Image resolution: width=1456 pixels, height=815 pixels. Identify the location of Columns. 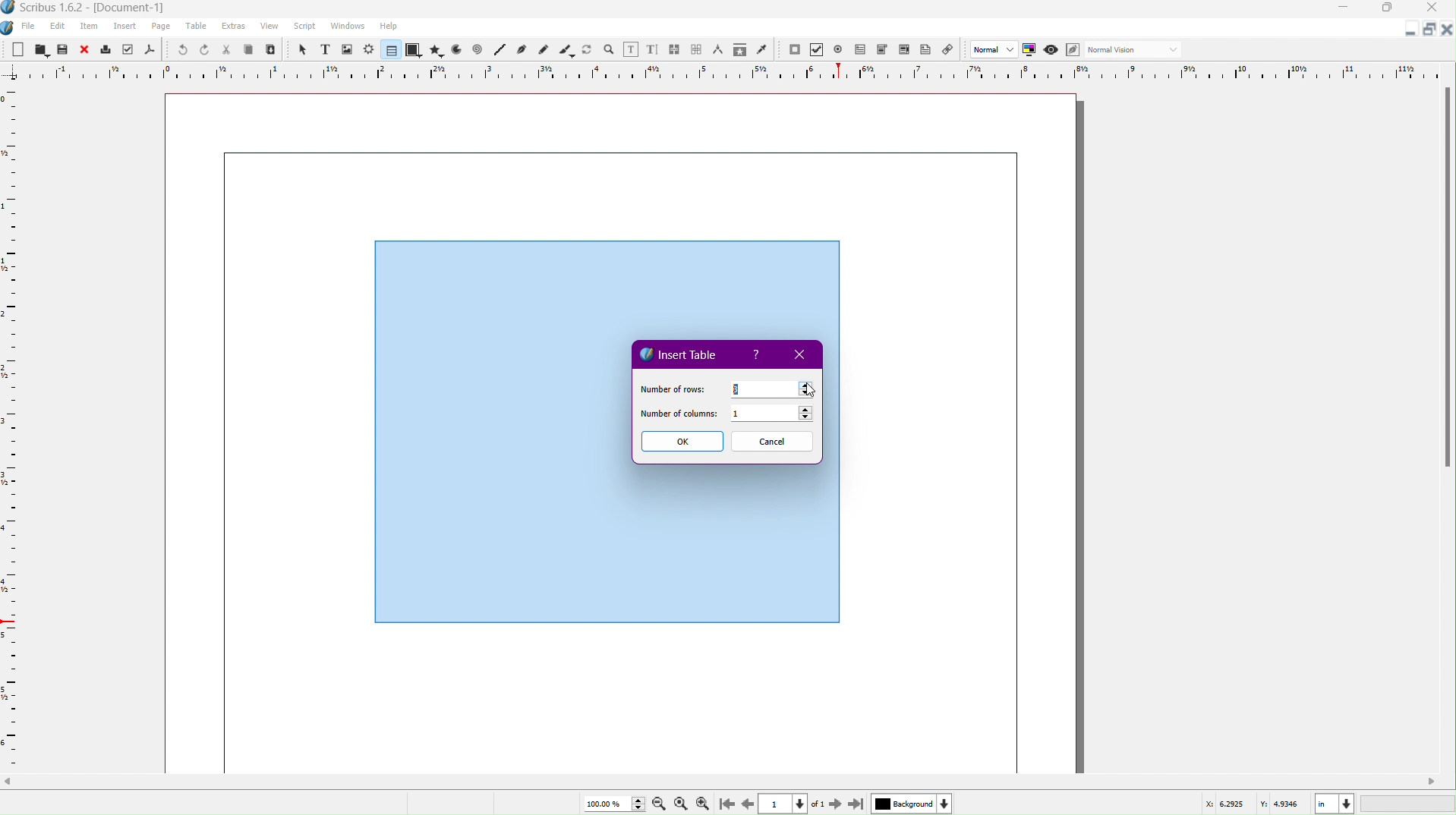
(777, 415).